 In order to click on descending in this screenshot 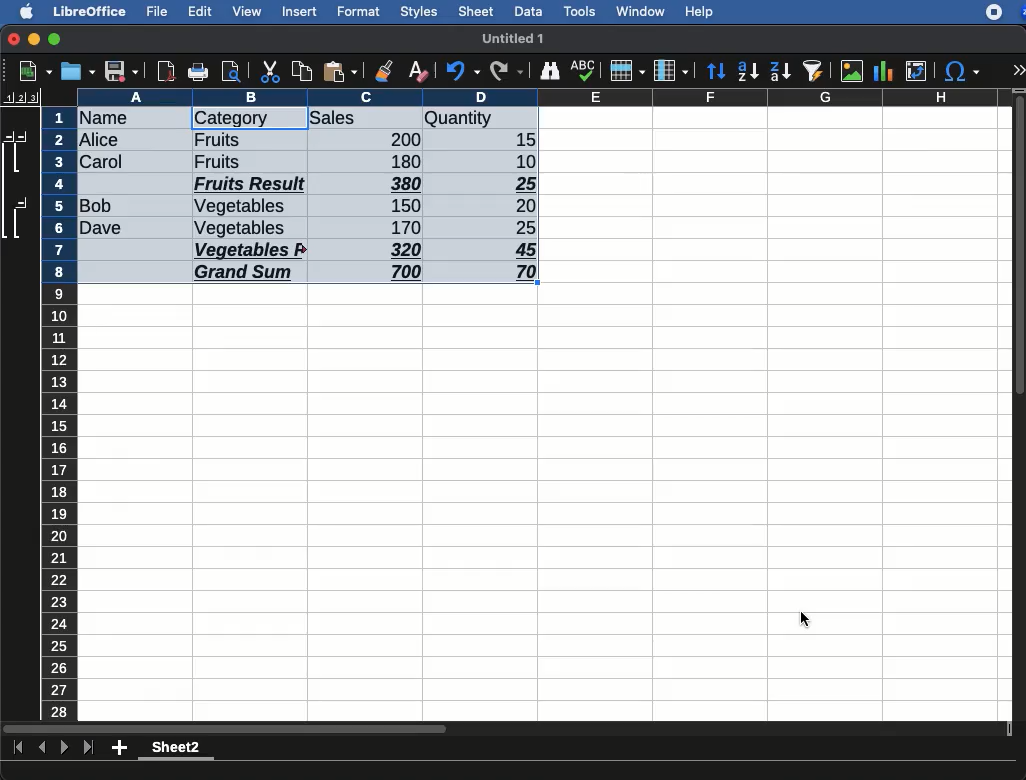, I will do `click(781, 72)`.